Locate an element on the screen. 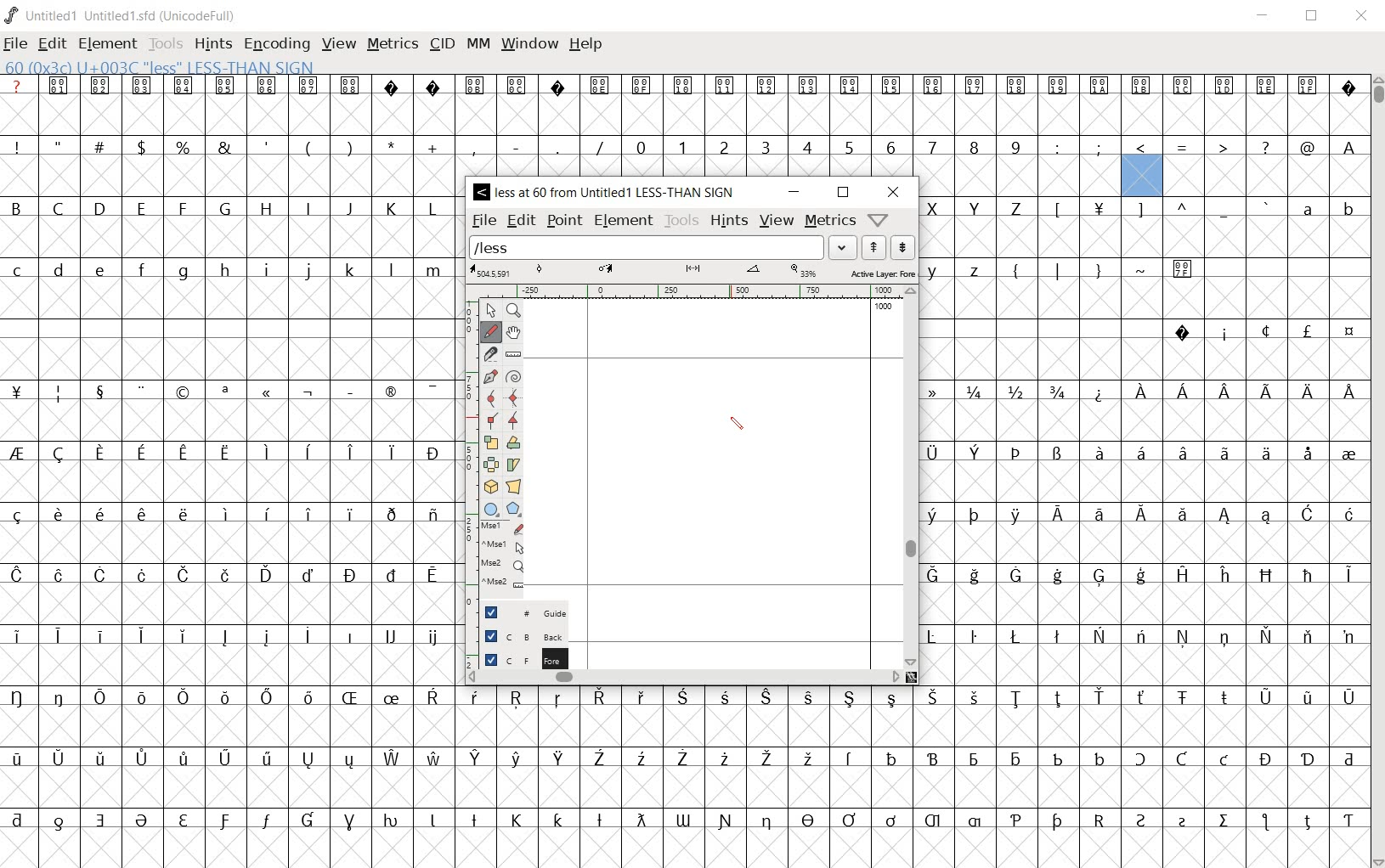 This screenshot has height=868, width=1385. pointer is located at coordinates (490, 309).